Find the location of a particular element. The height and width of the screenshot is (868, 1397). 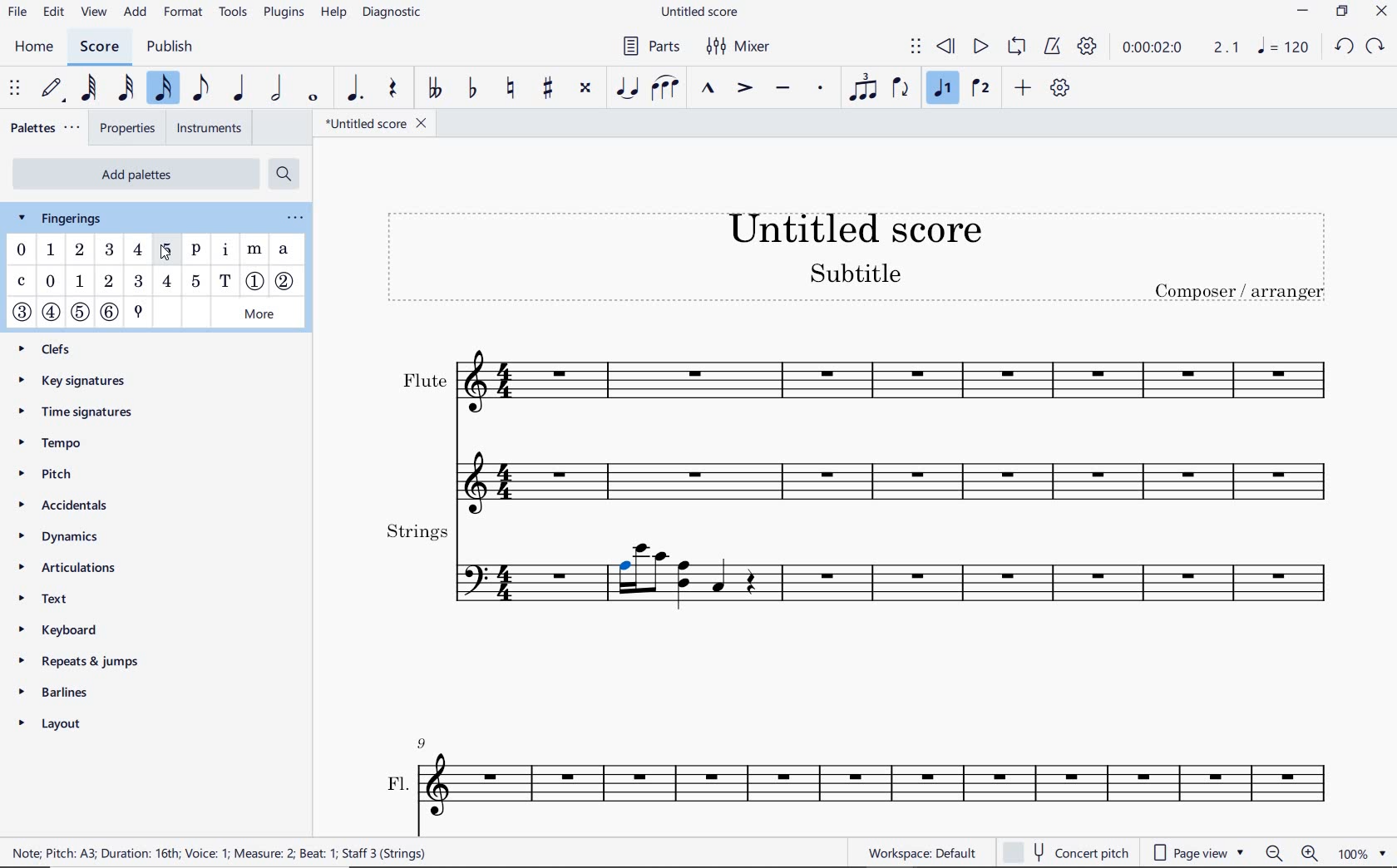

16th note is located at coordinates (161, 86).